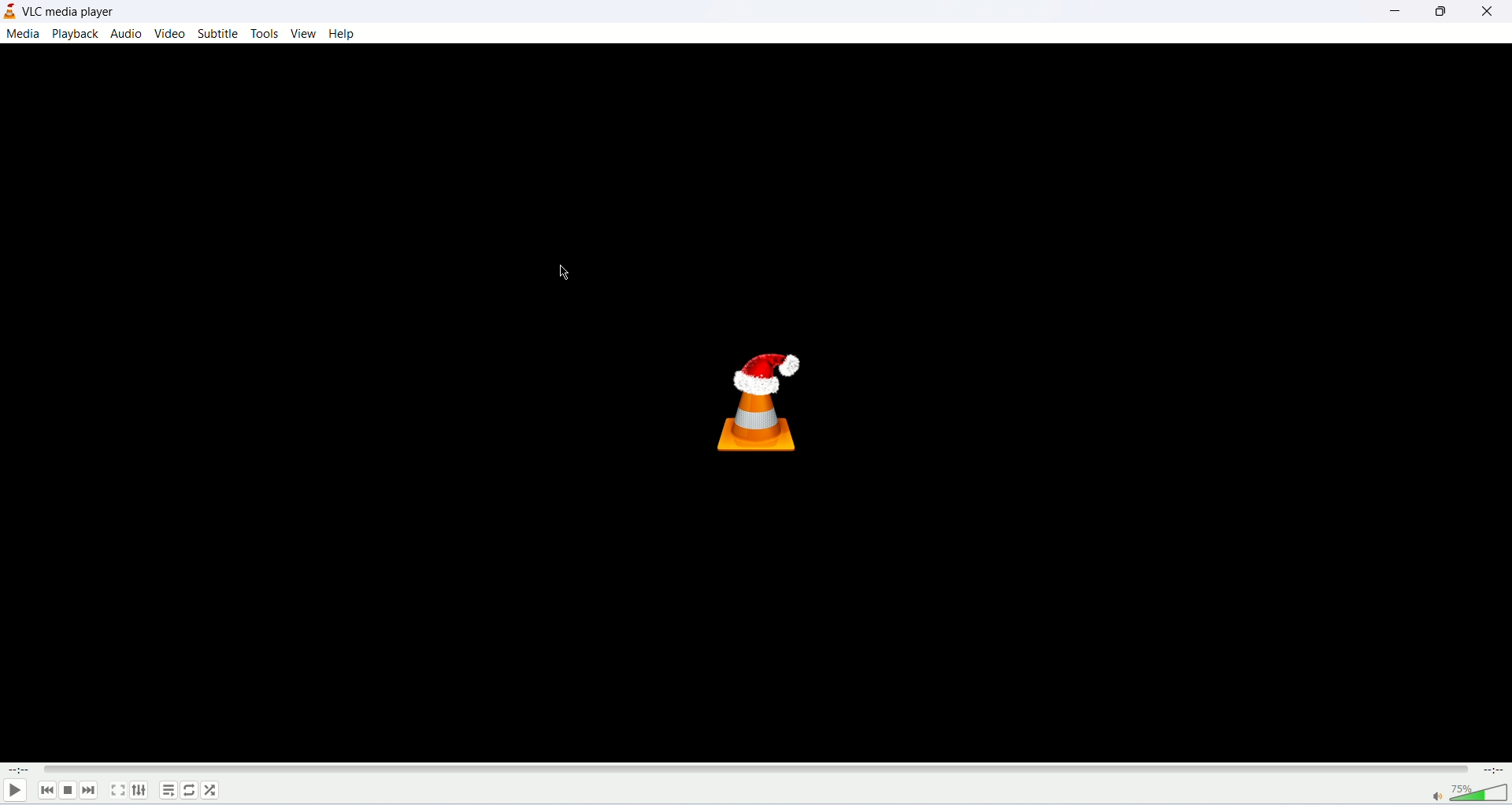 The image size is (1512, 805). Describe the element at coordinates (48, 792) in the screenshot. I see `previous` at that location.